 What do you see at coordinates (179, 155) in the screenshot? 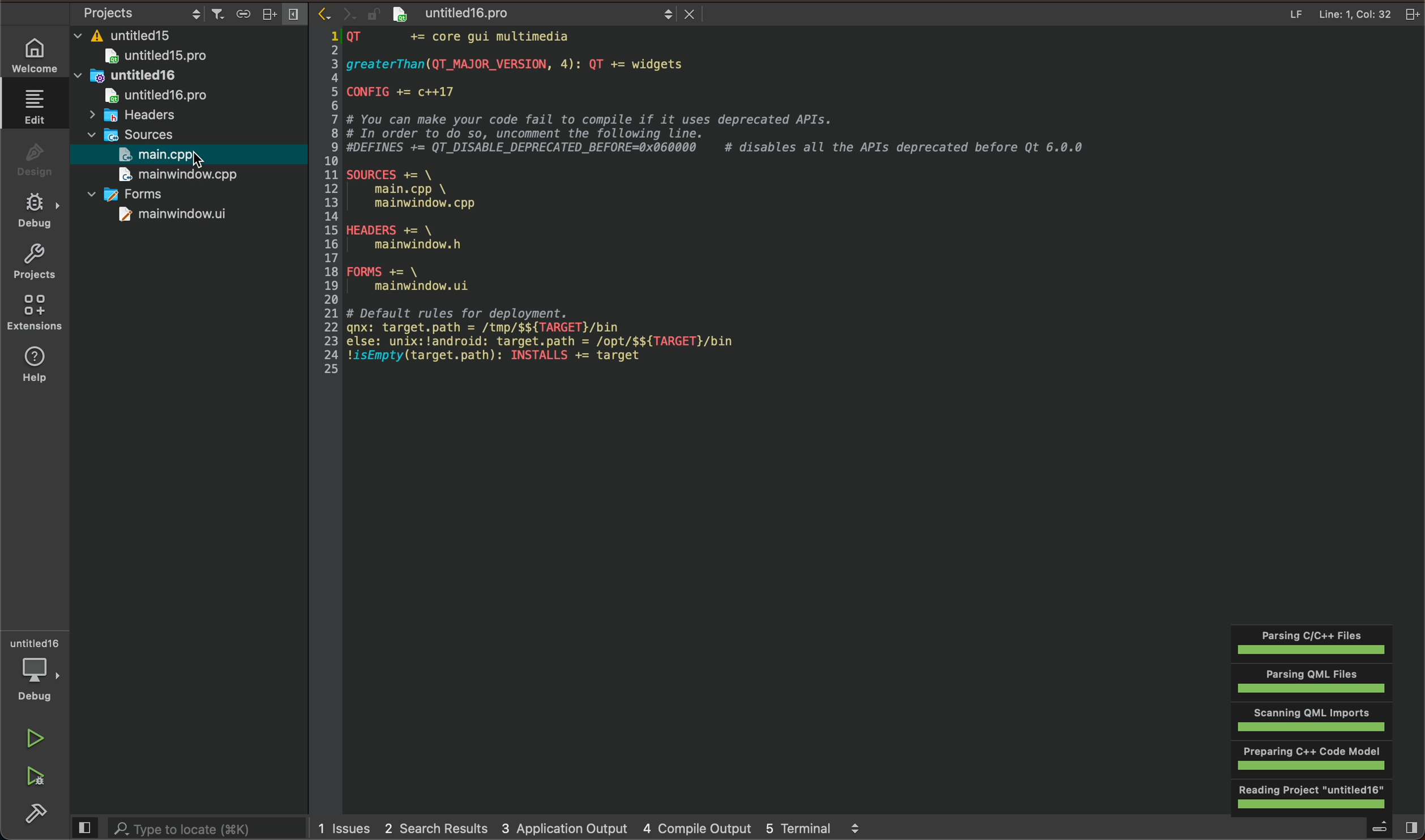
I see `open main file` at bounding box center [179, 155].